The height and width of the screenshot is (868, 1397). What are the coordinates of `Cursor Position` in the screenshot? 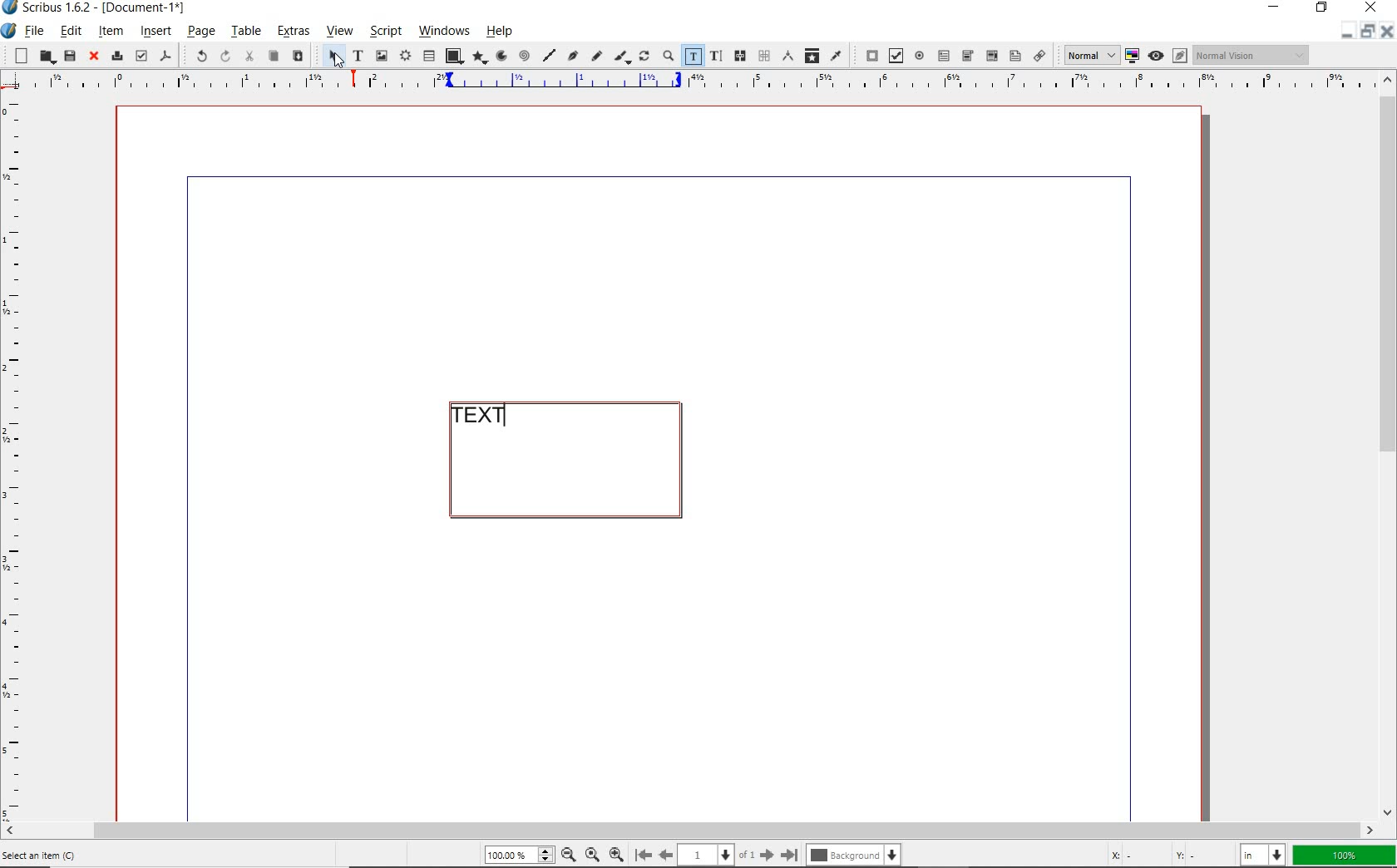 It's located at (337, 60).